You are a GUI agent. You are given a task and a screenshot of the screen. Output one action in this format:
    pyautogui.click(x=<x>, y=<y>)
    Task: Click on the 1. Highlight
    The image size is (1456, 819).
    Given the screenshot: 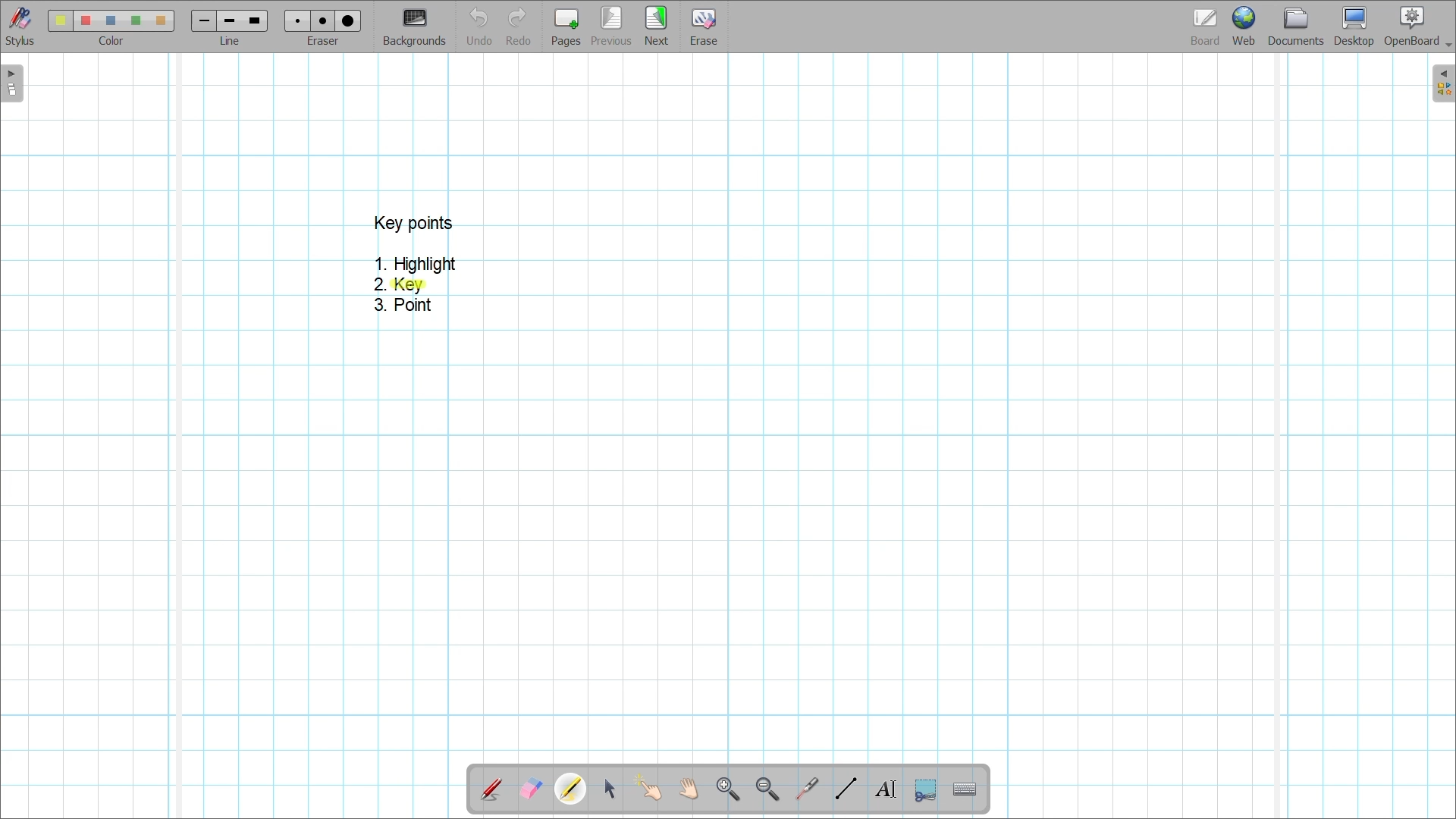 What is the action you would take?
    pyautogui.click(x=416, y=262)
    